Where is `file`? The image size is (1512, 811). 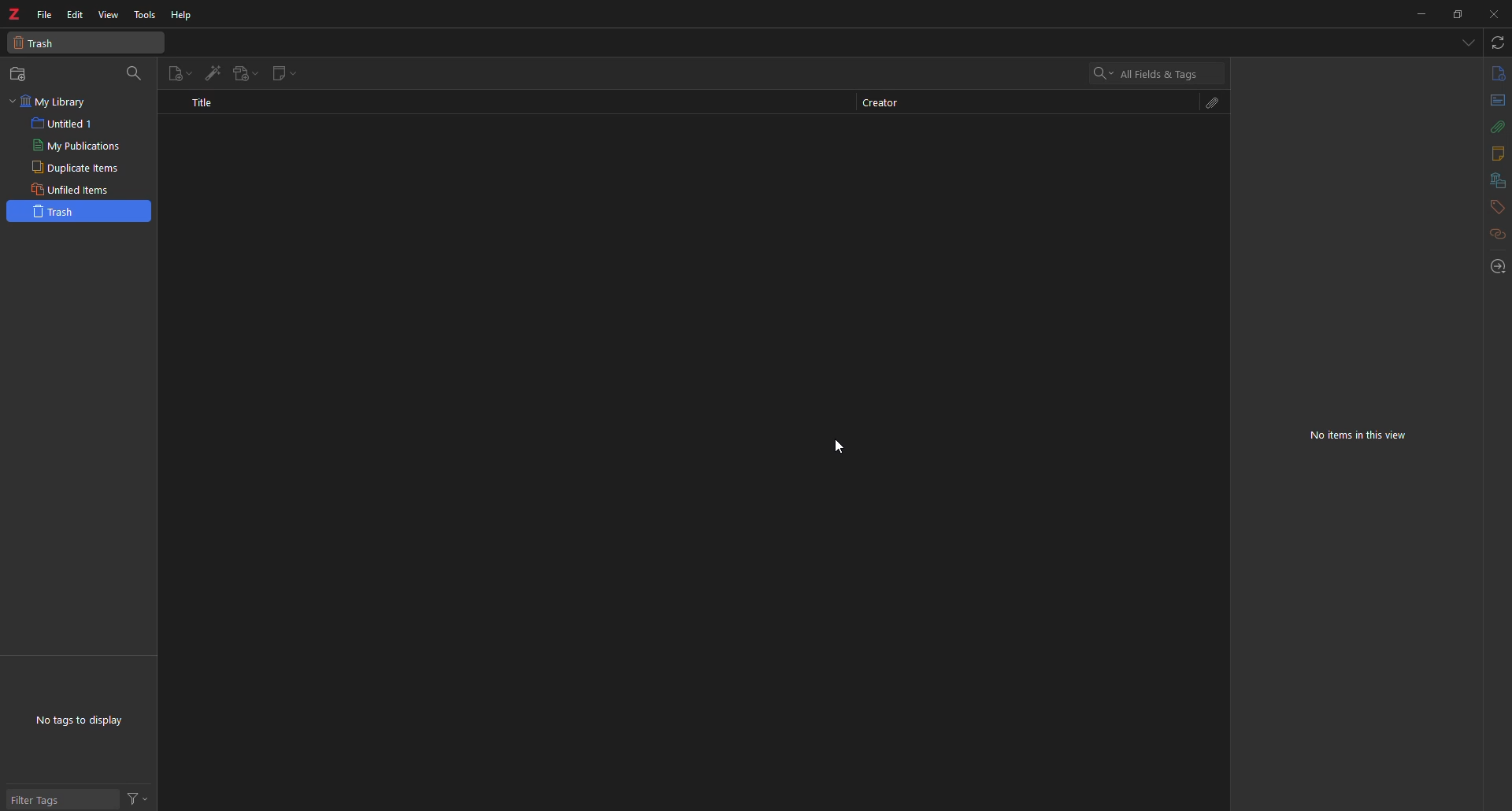
file is located at coordinates (44, 14).